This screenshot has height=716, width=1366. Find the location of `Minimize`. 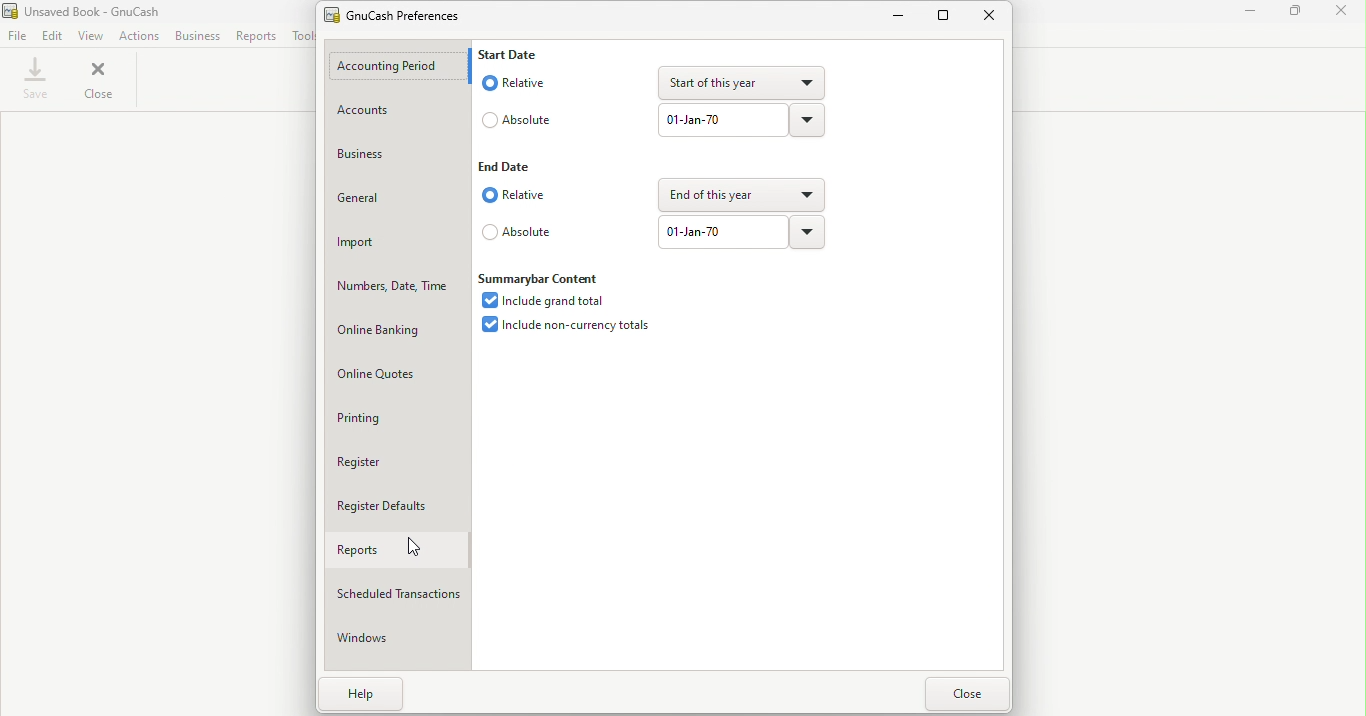

Minimize is located at coordinates (894, 18).